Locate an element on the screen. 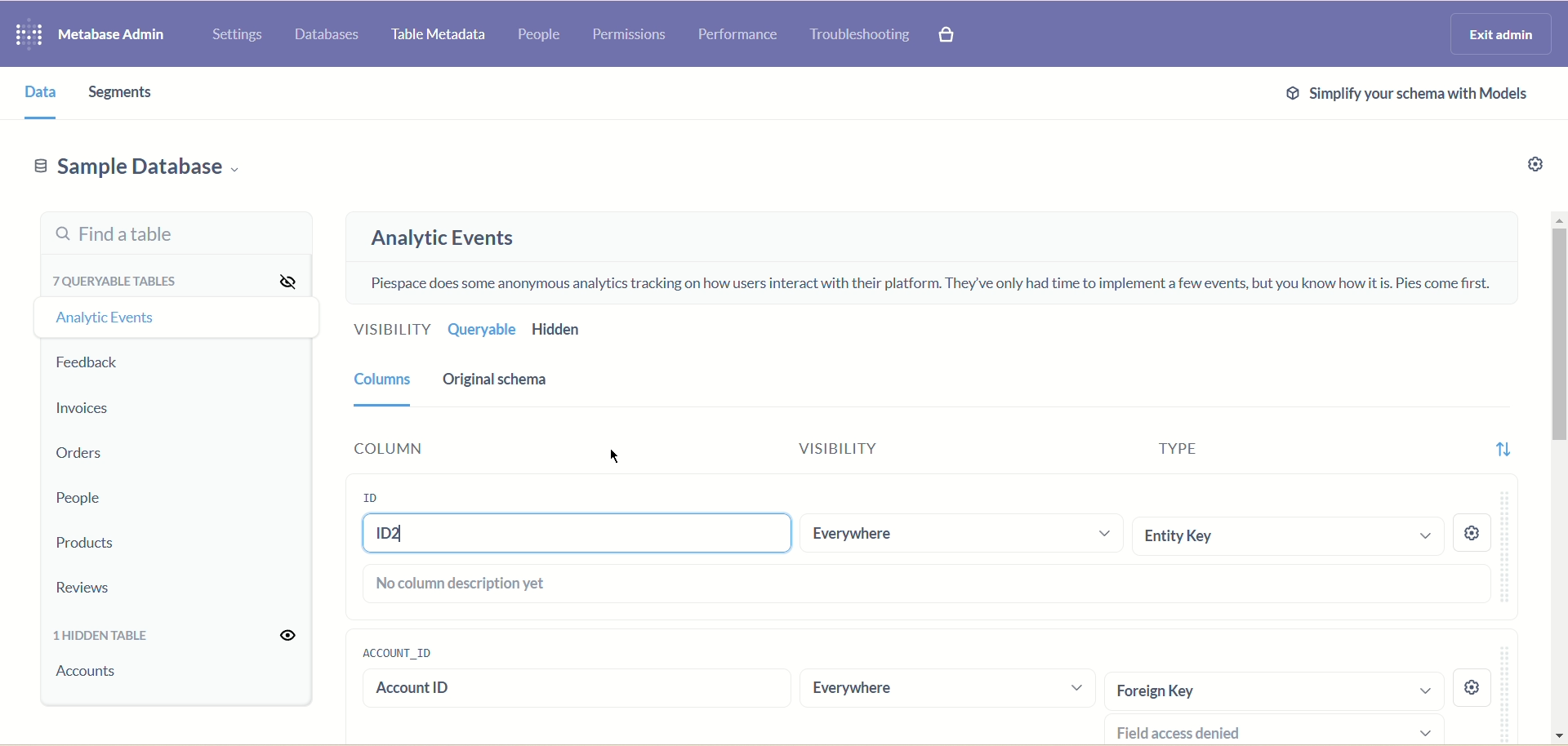  Find a table is located at coordinates (171, 233).